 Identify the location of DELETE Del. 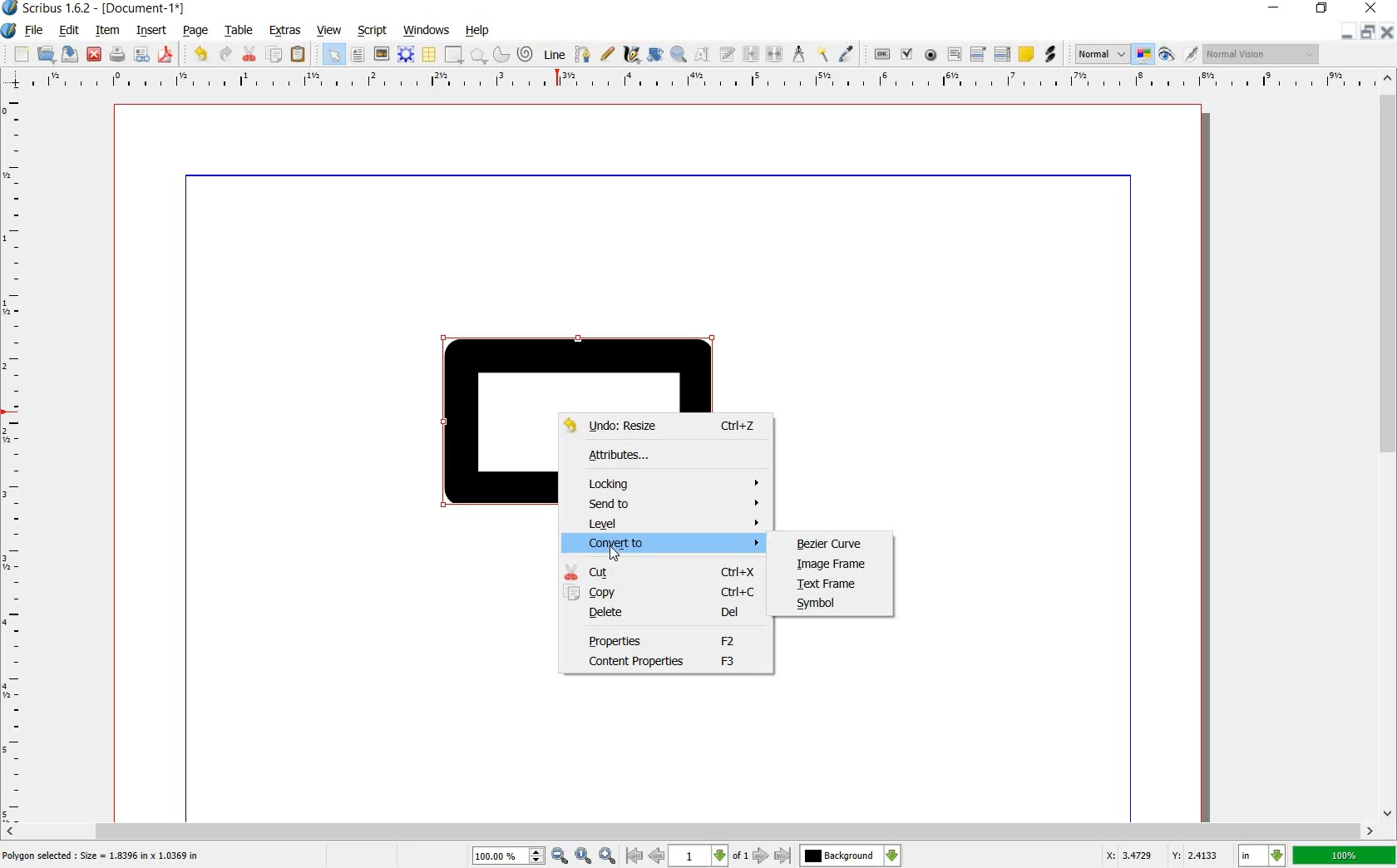
(668, 615).